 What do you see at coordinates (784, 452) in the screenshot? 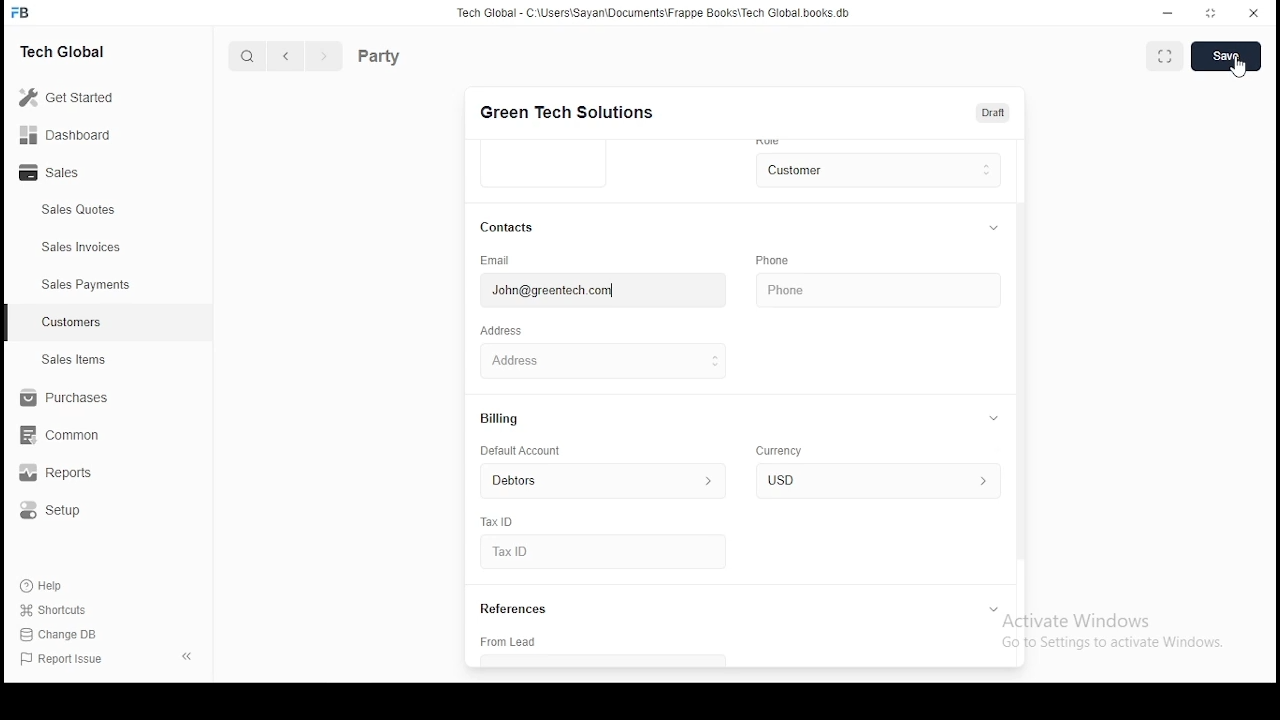
I see `currency` at bounding box center [784, 452].